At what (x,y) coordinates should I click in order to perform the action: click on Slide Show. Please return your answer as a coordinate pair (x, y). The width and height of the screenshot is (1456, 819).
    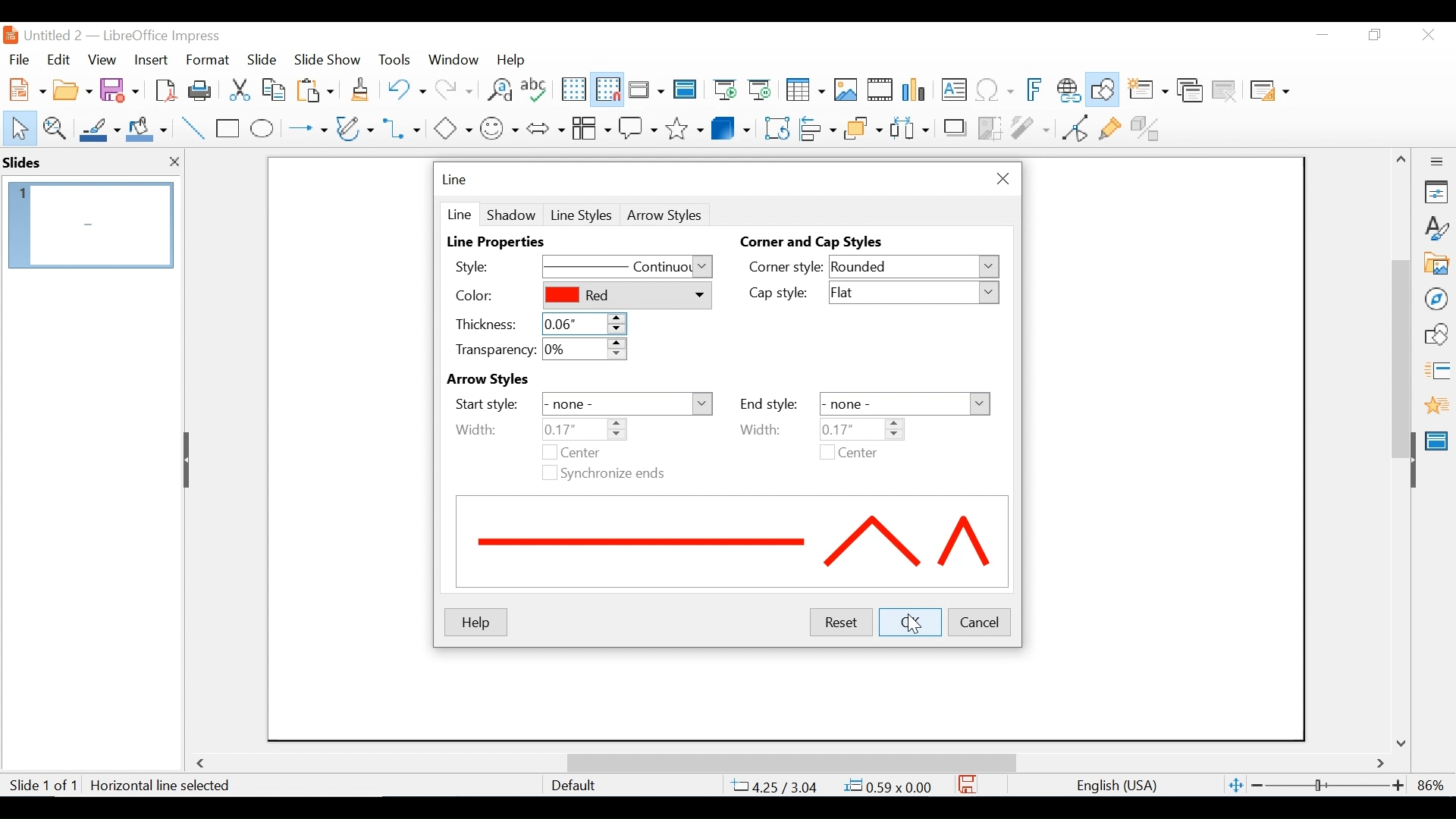
    Looking at the image, I should click on (328, 58).